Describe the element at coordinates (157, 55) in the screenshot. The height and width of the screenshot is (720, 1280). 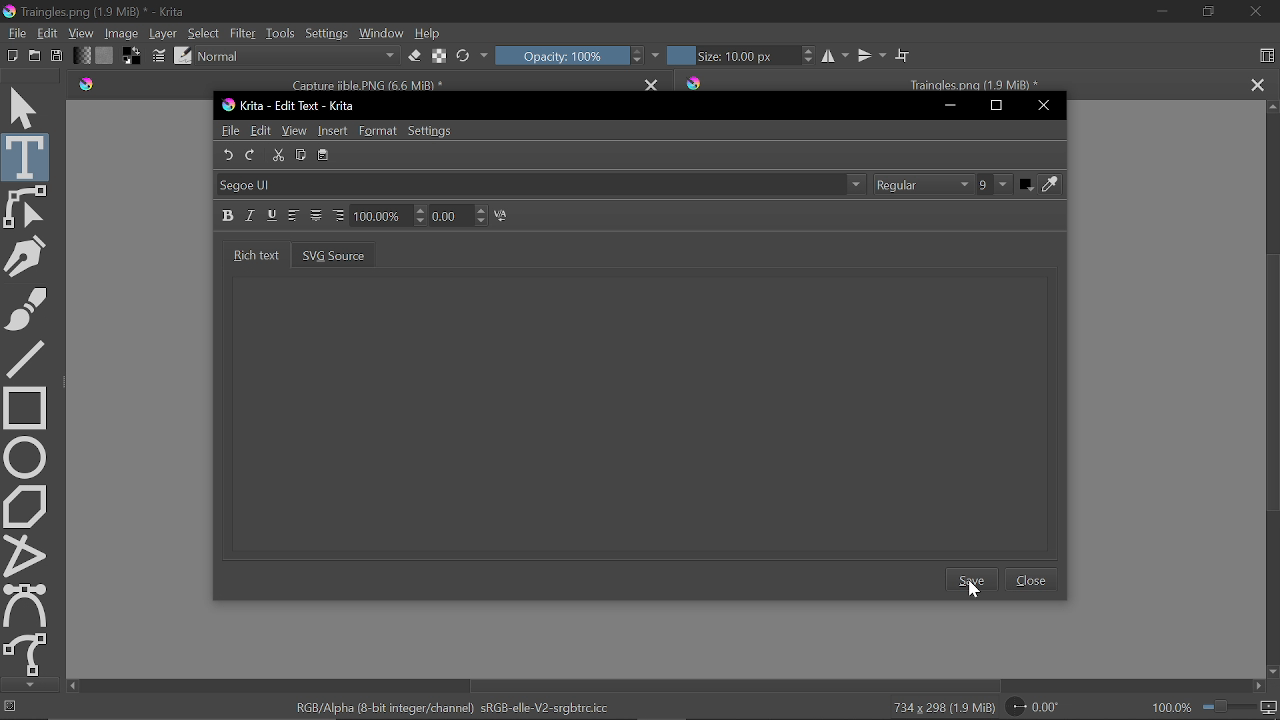
I see `Edit Brush settings` at that location.